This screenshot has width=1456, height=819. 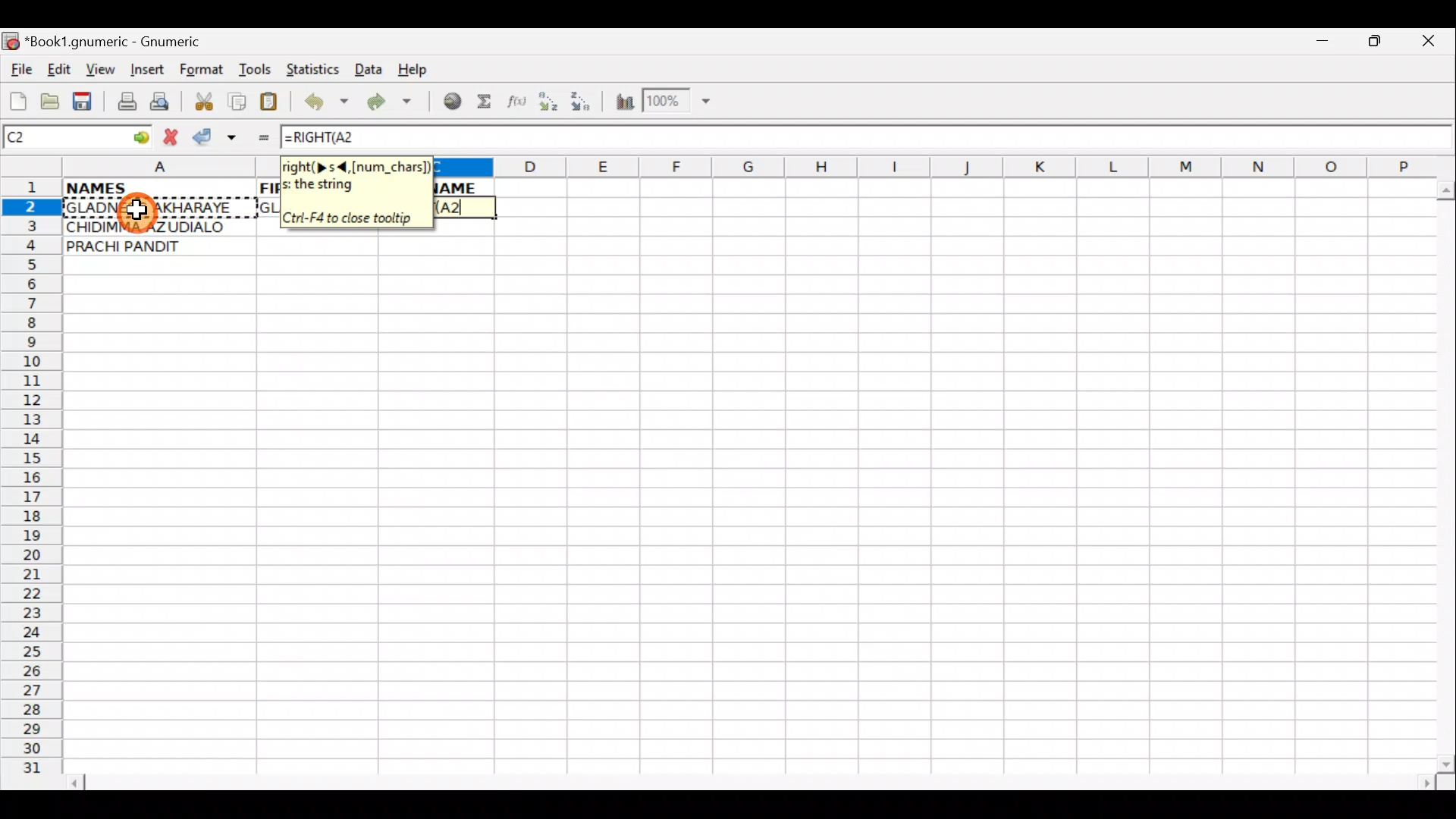 What do you see at coordinates (61, 138) in the screenshot?
I see `Cell name C2` at bounding box center [61, 138].